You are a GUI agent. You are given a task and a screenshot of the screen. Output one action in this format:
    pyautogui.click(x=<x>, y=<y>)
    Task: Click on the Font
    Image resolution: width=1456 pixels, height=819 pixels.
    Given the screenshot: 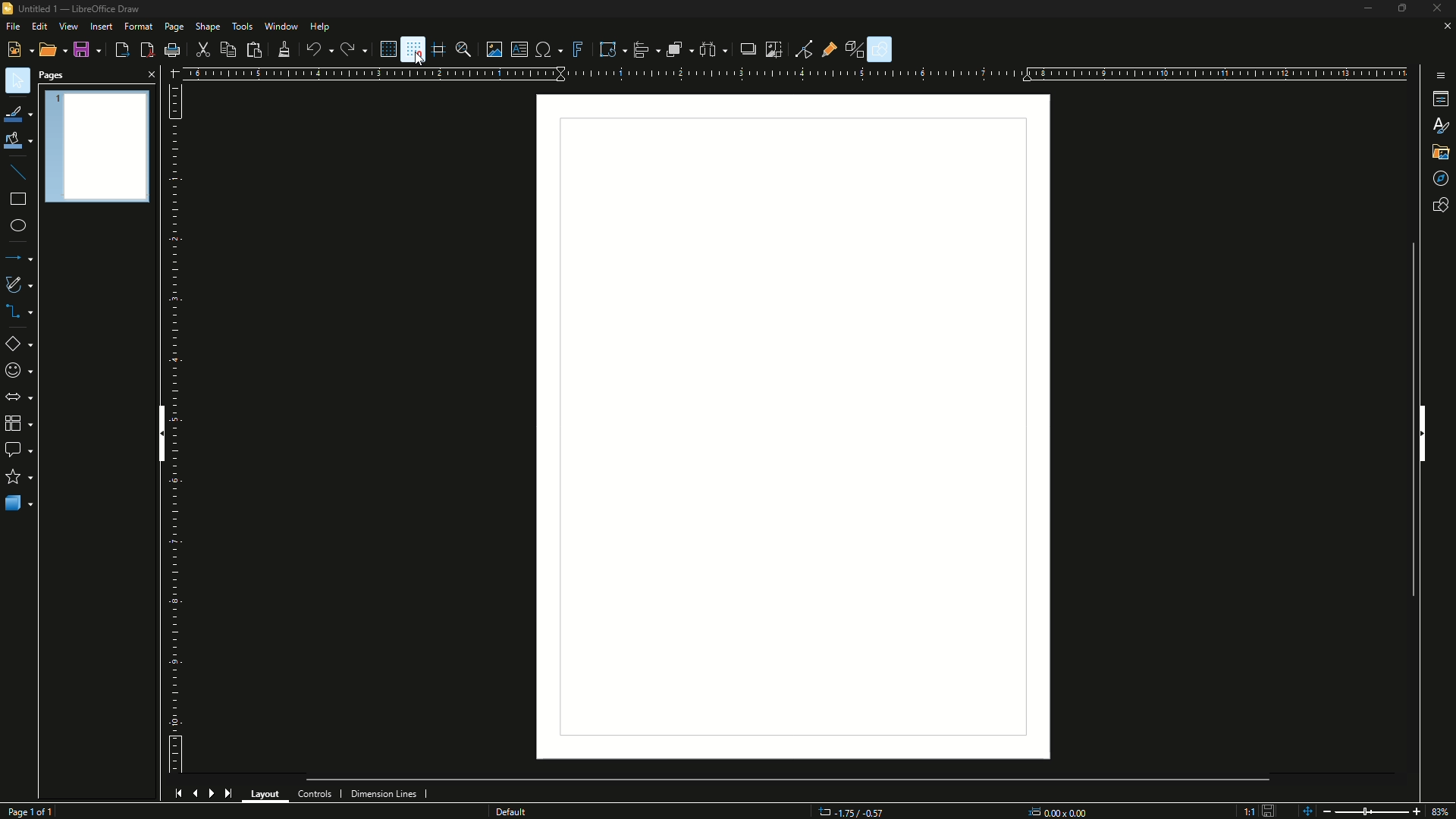 What is the action you would take?
    pyautogui.click(x=1439, y=125)
    